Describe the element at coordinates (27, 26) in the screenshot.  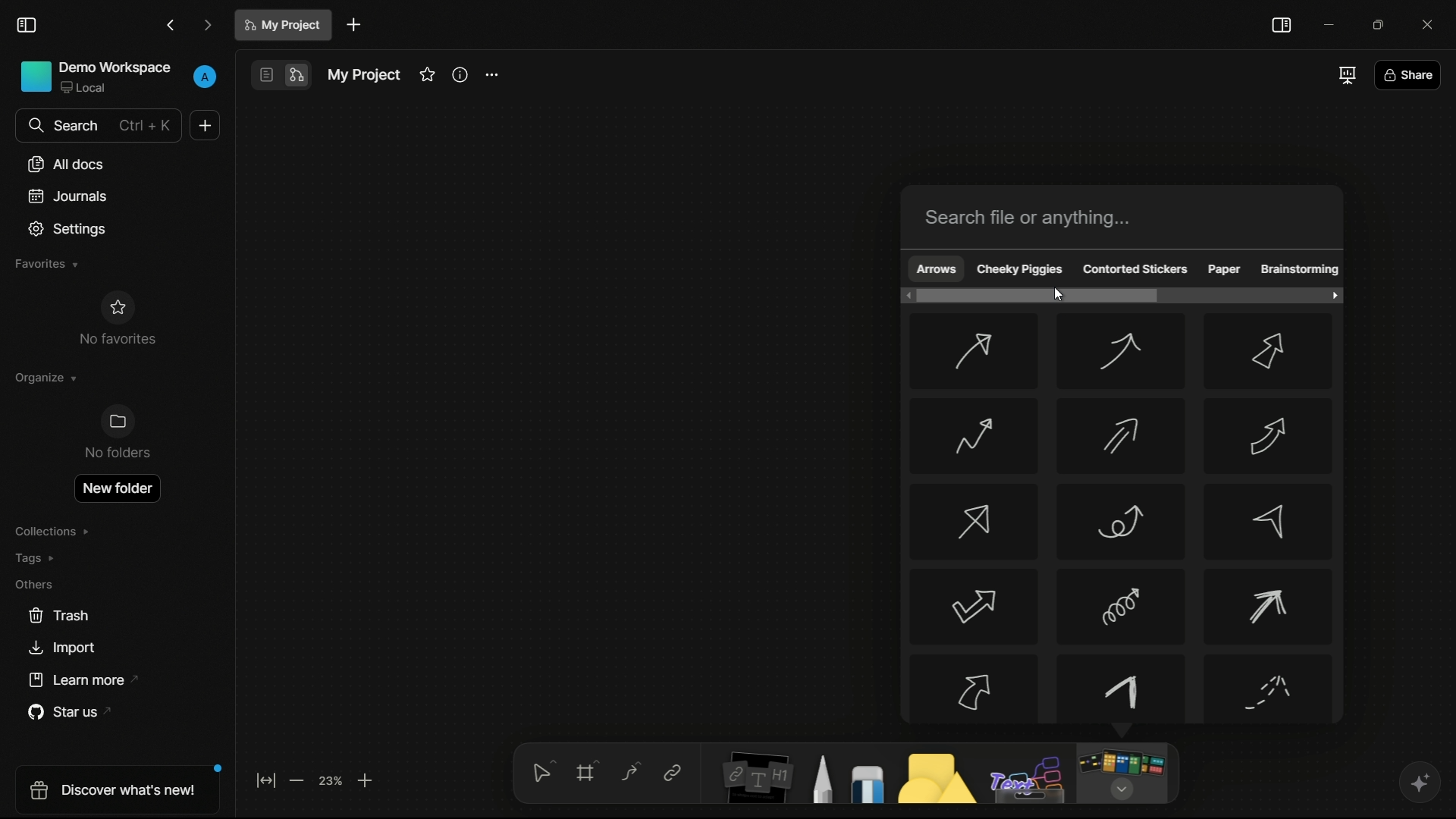
I see `toggle sidebar` at that location.